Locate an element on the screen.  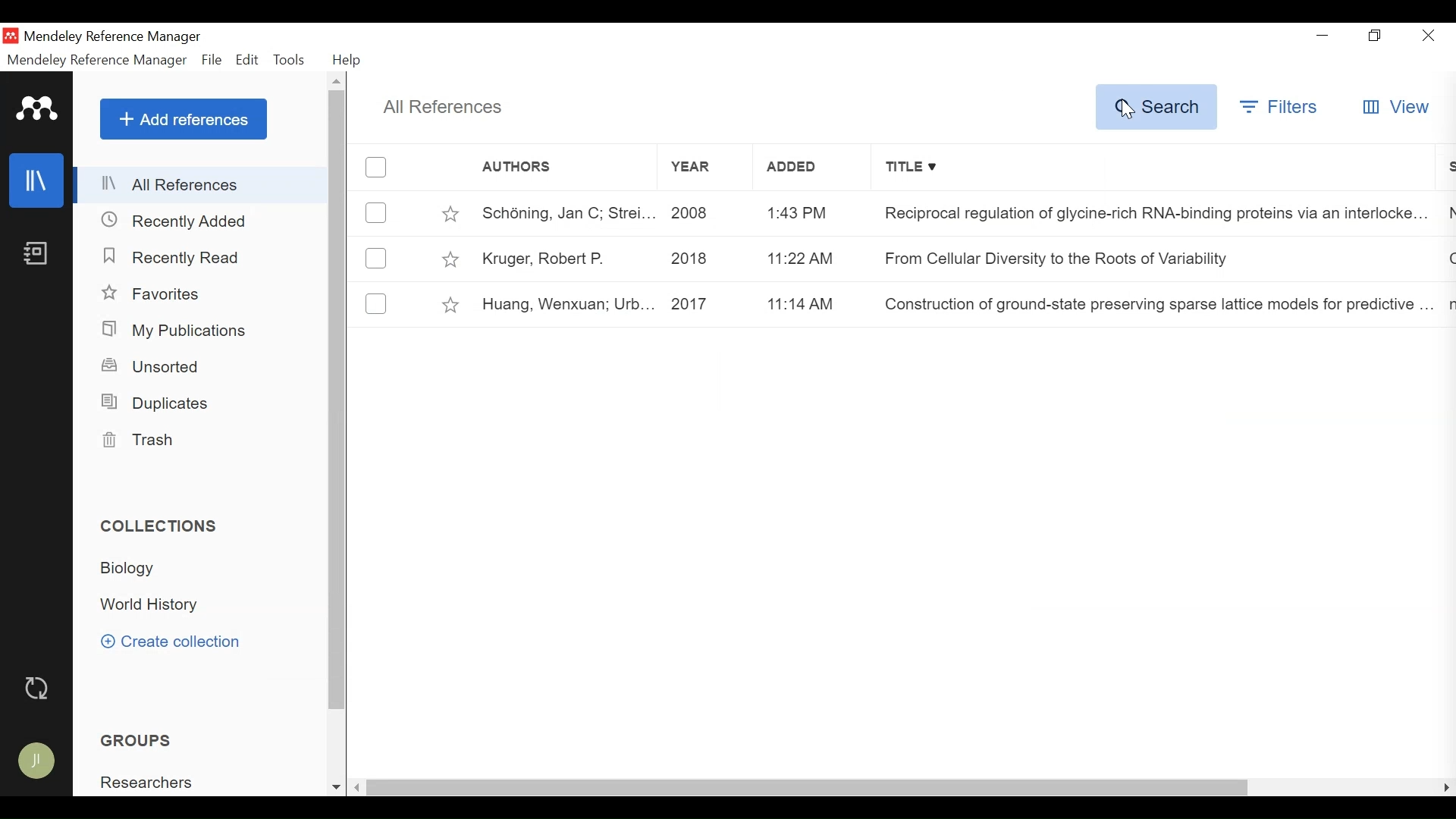
1:43 PM is located at coordinates (814, 211).